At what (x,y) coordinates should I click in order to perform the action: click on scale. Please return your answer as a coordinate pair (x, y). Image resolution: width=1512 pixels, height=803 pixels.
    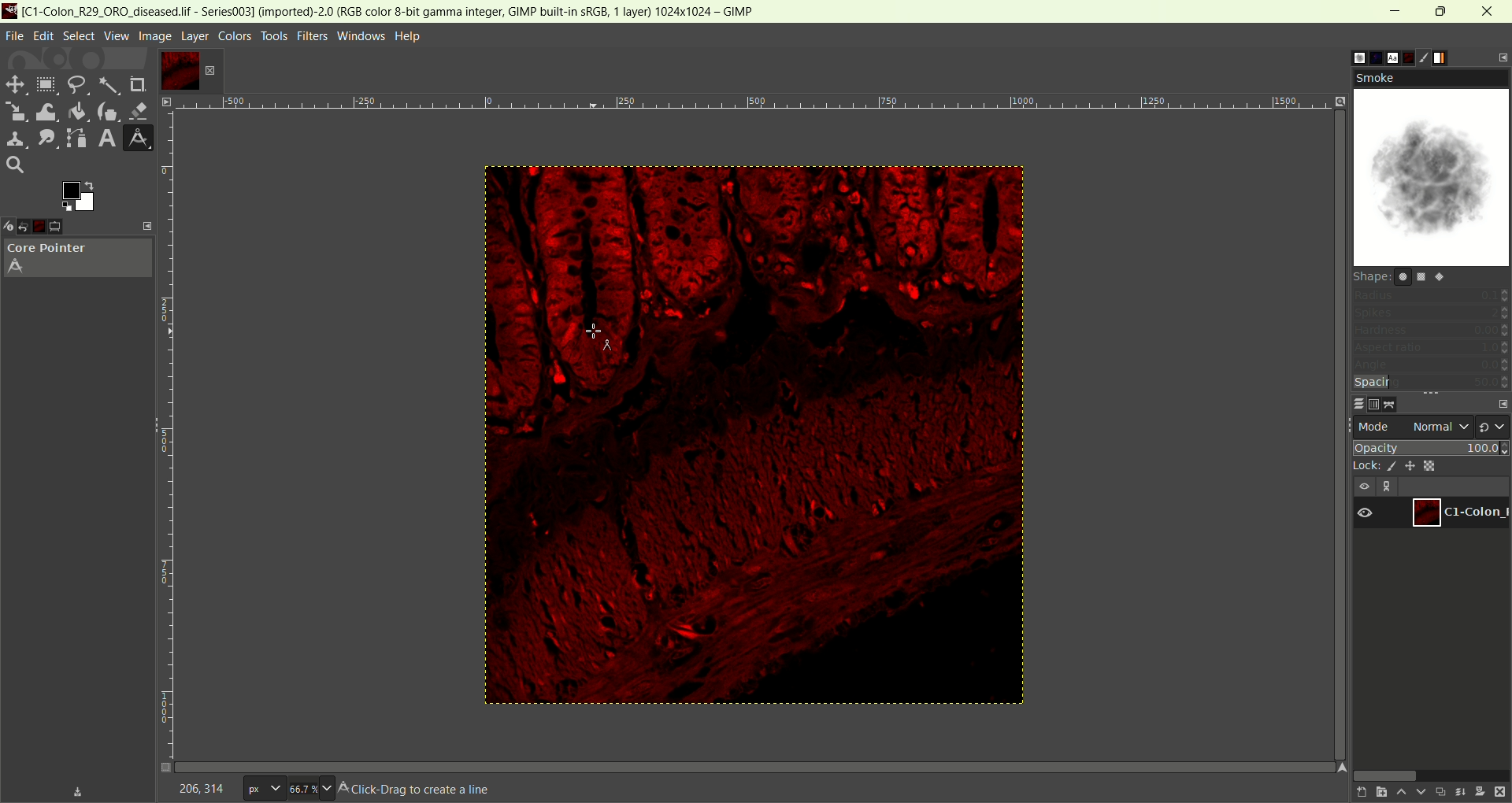
    Looking at the image, I should click on (13, 109).